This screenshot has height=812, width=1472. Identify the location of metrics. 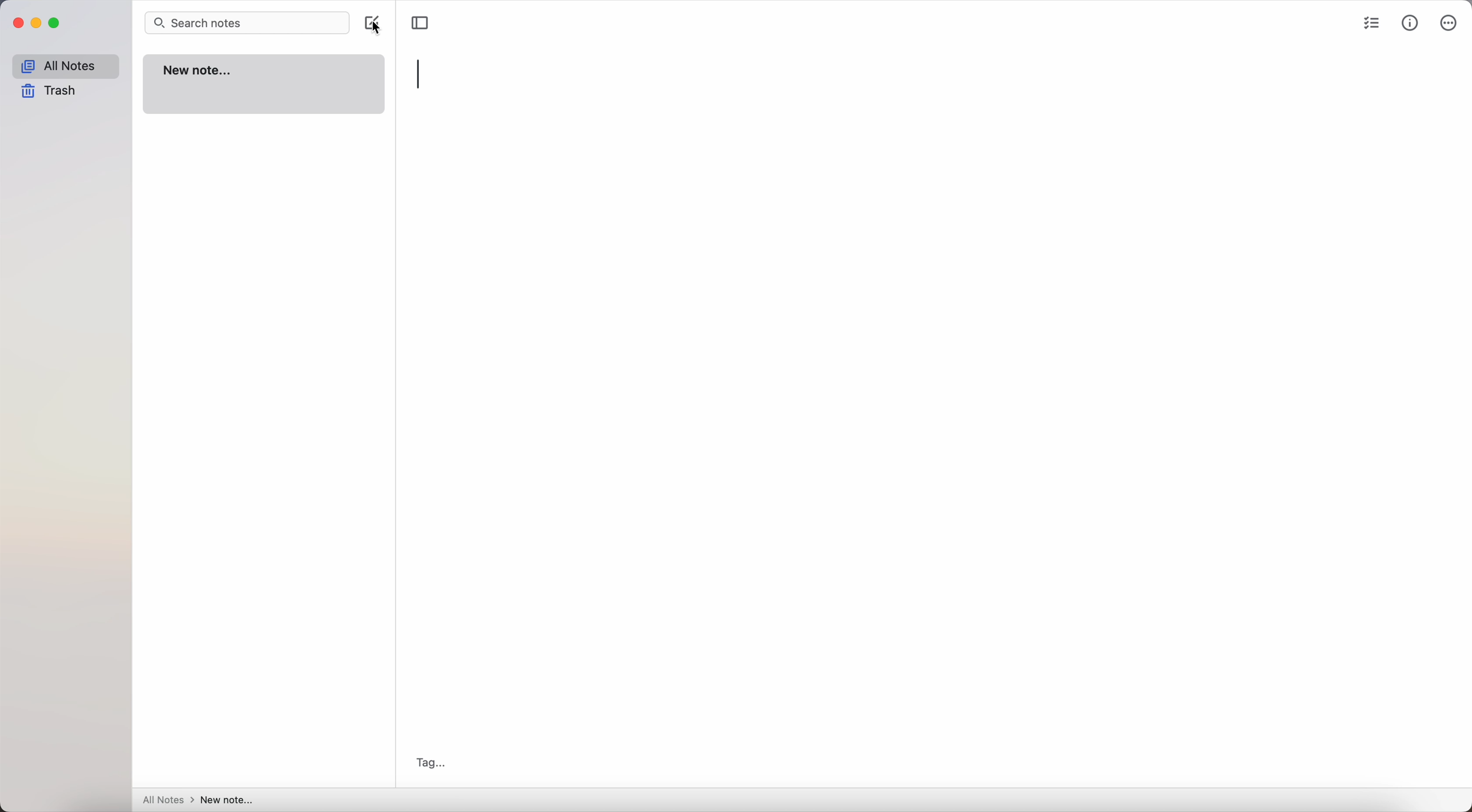
(1410, 25).